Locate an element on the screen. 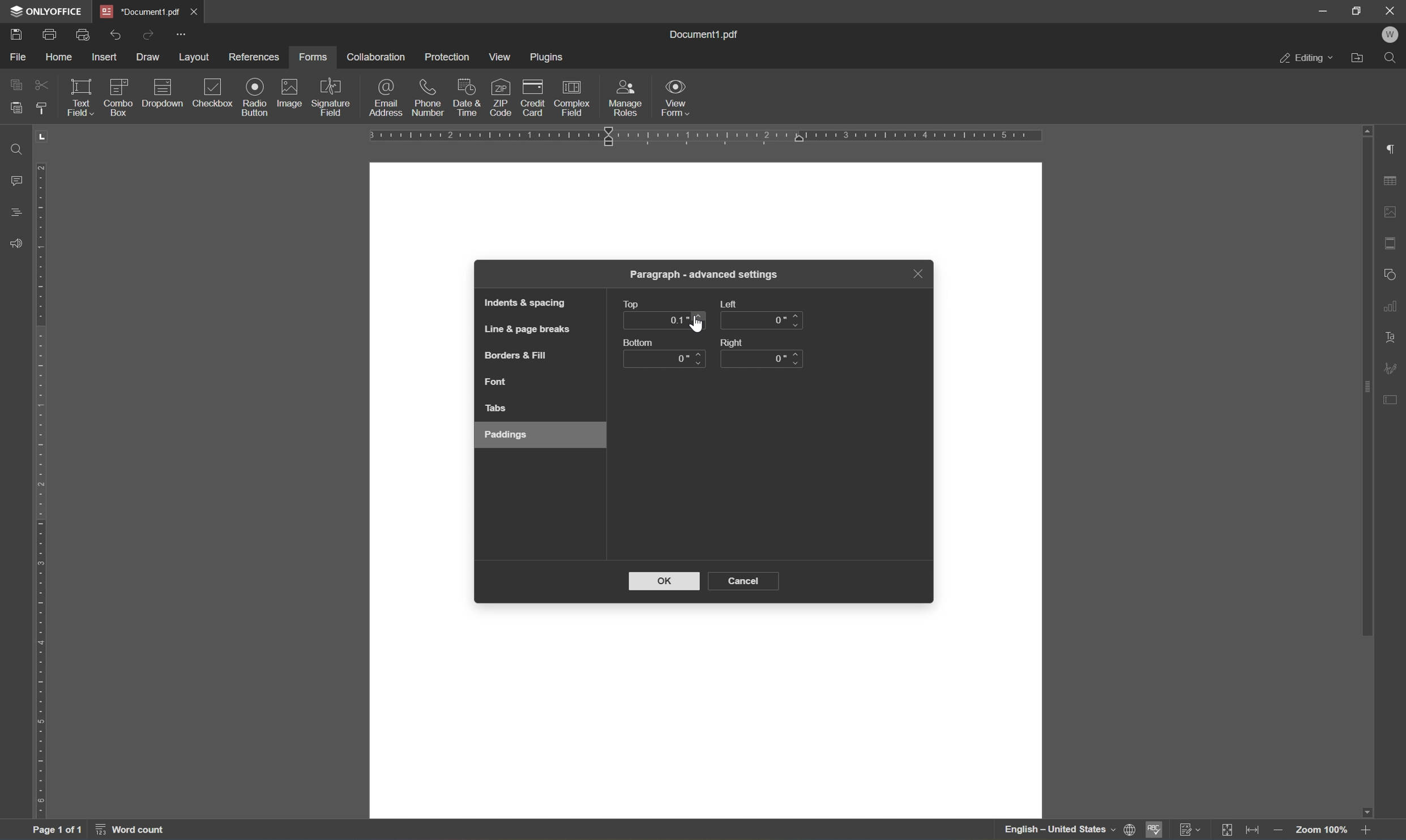 The width and height of the screenshot is (1406, 840). 0 is located at coordinates (784, 359).